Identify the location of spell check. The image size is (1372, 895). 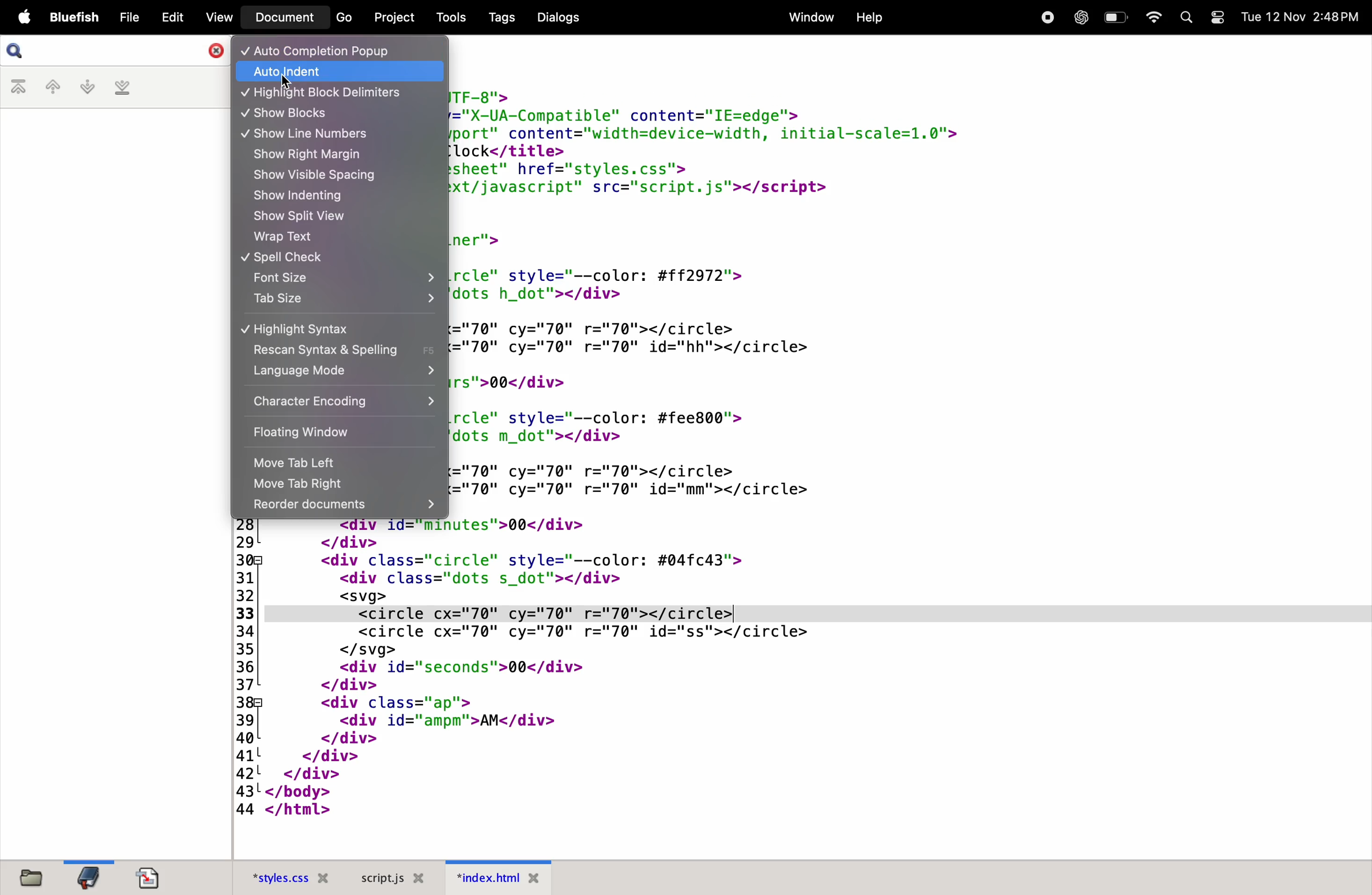
(337, 258).